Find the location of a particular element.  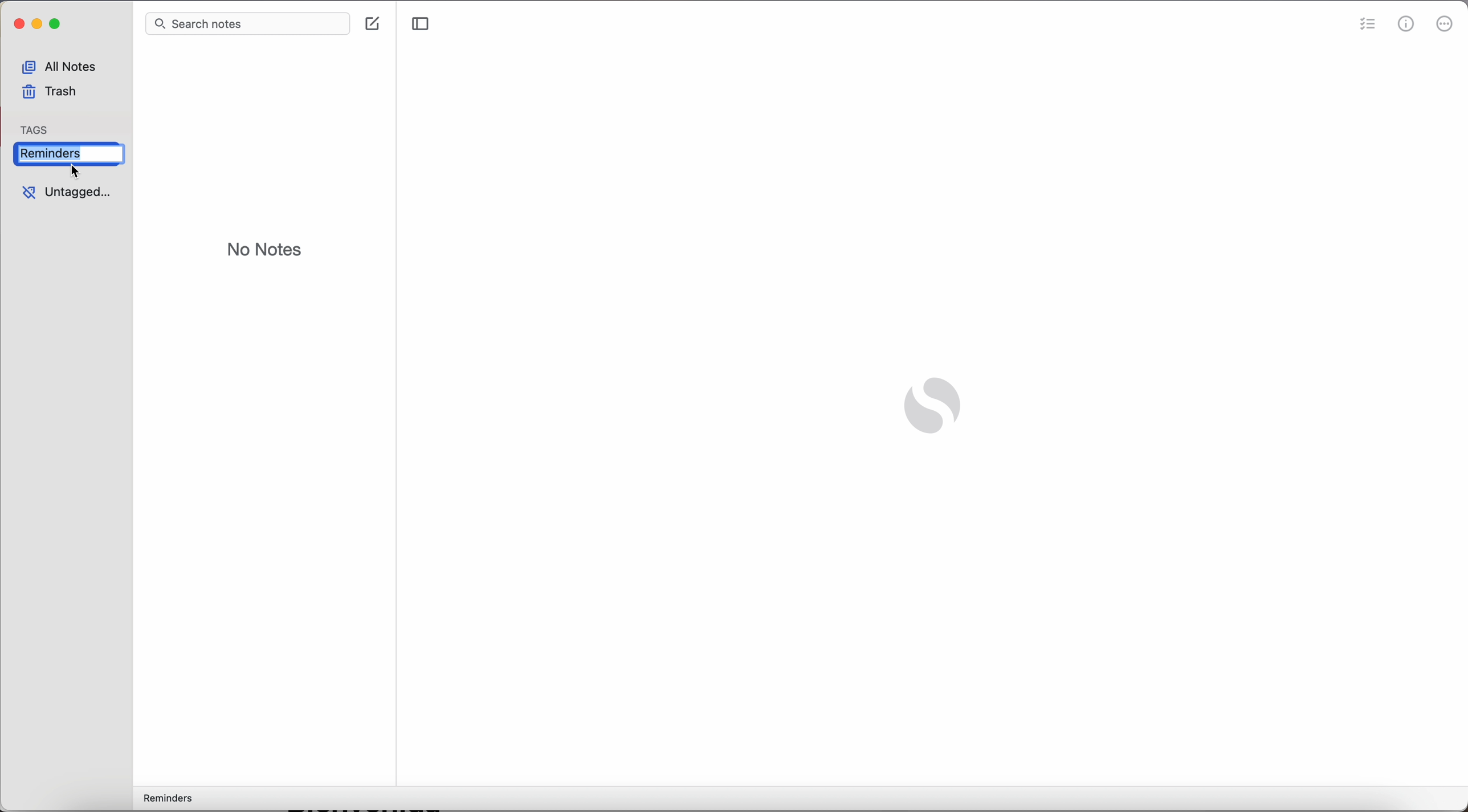

all notes is located at coordinates (64, 64).